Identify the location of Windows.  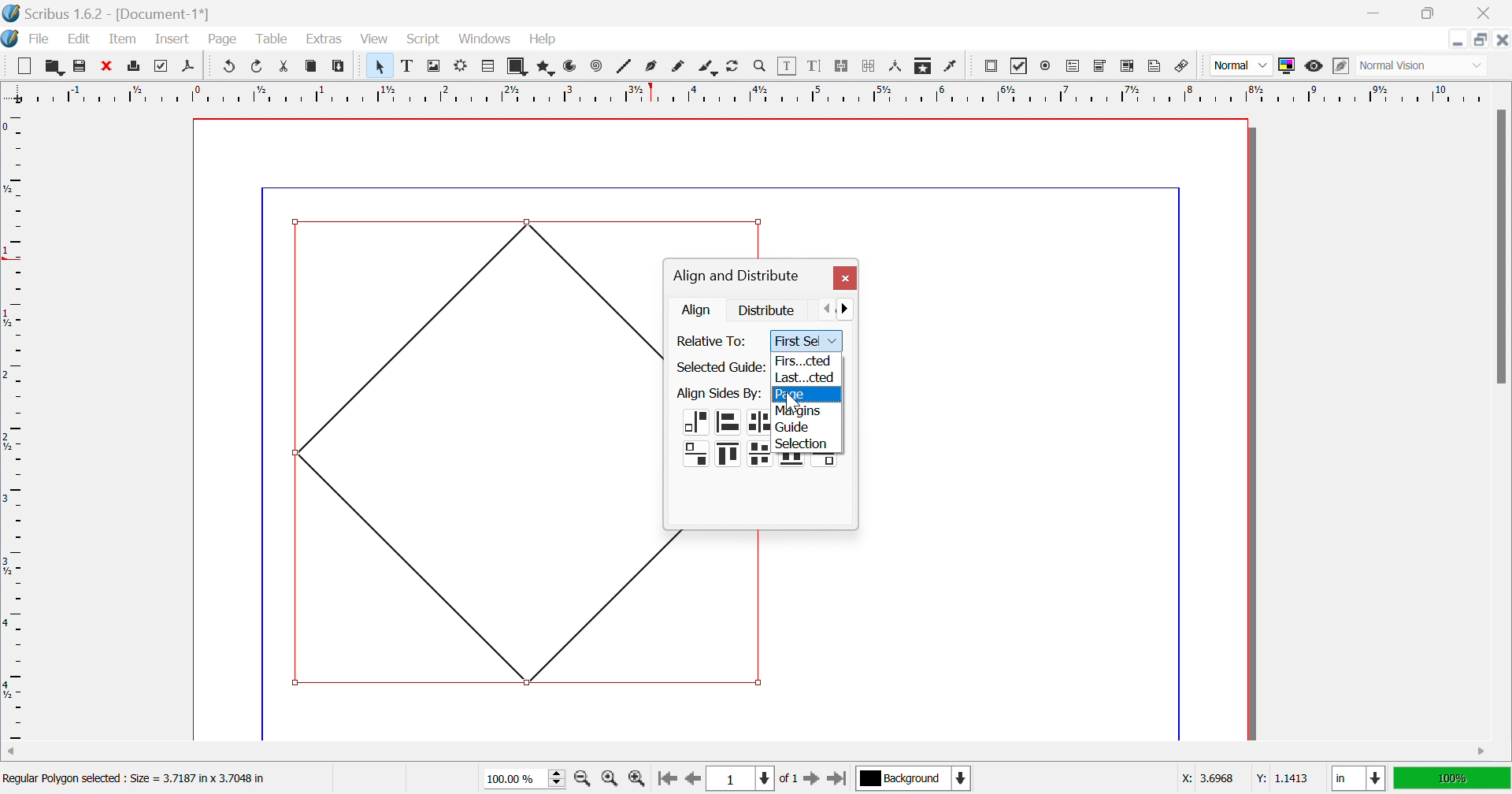
(487, 39).